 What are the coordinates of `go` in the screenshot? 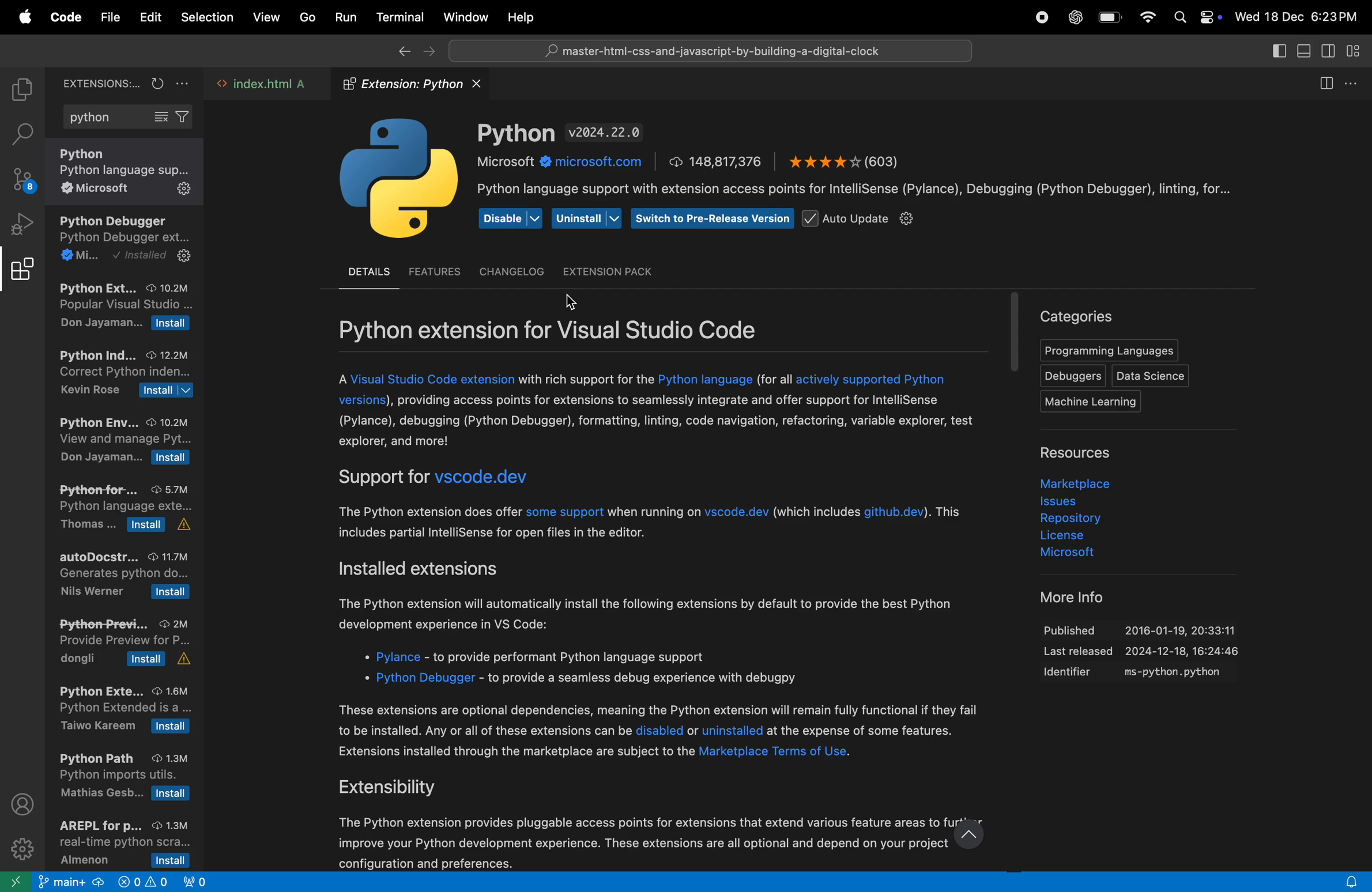 It's located at (305, 18).